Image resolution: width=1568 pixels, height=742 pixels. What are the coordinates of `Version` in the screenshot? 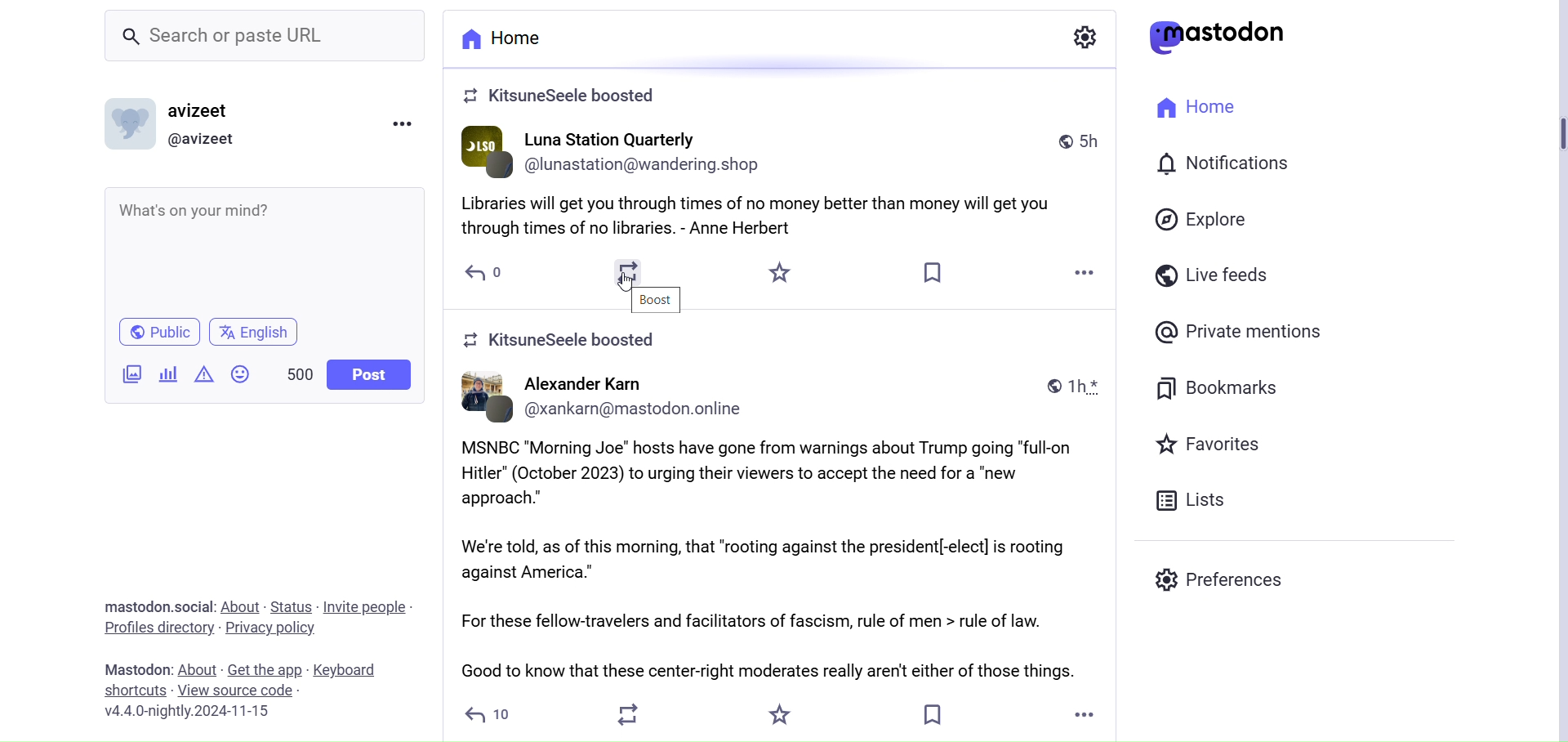 It's located at (201, 711).